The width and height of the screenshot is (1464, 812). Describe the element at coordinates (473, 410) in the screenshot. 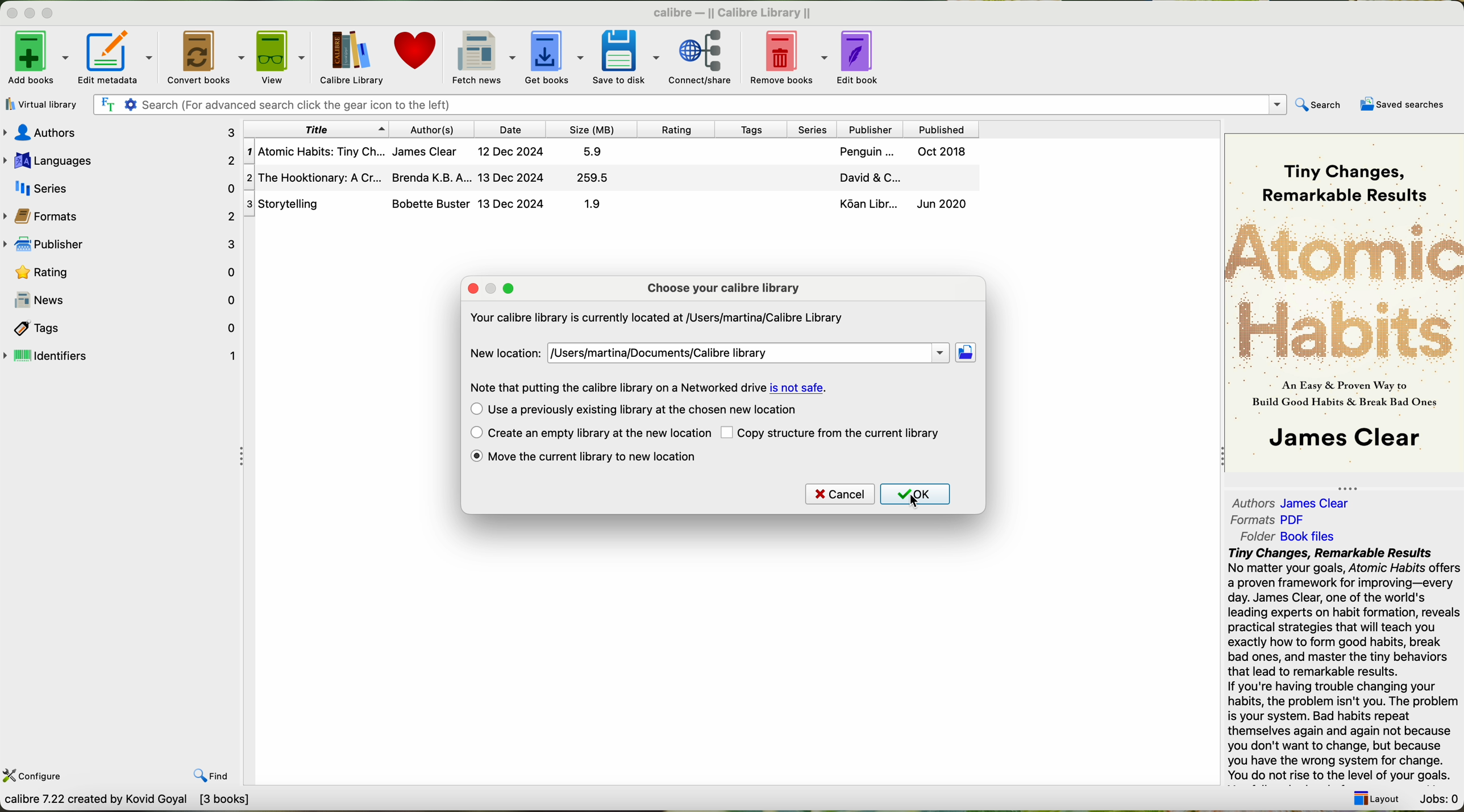

I see `check box` at that location.